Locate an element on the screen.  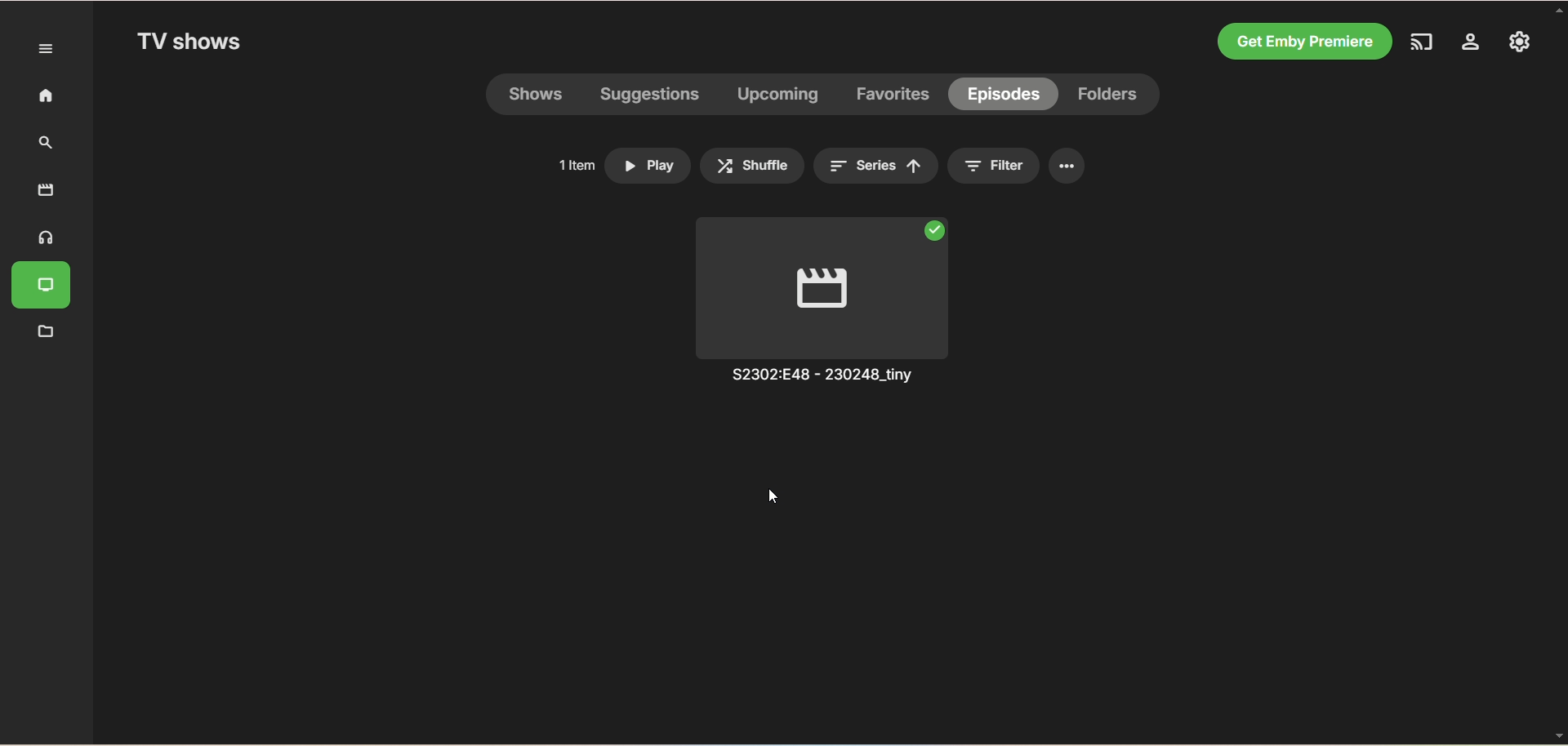
play is located at coordinates (831, 286).